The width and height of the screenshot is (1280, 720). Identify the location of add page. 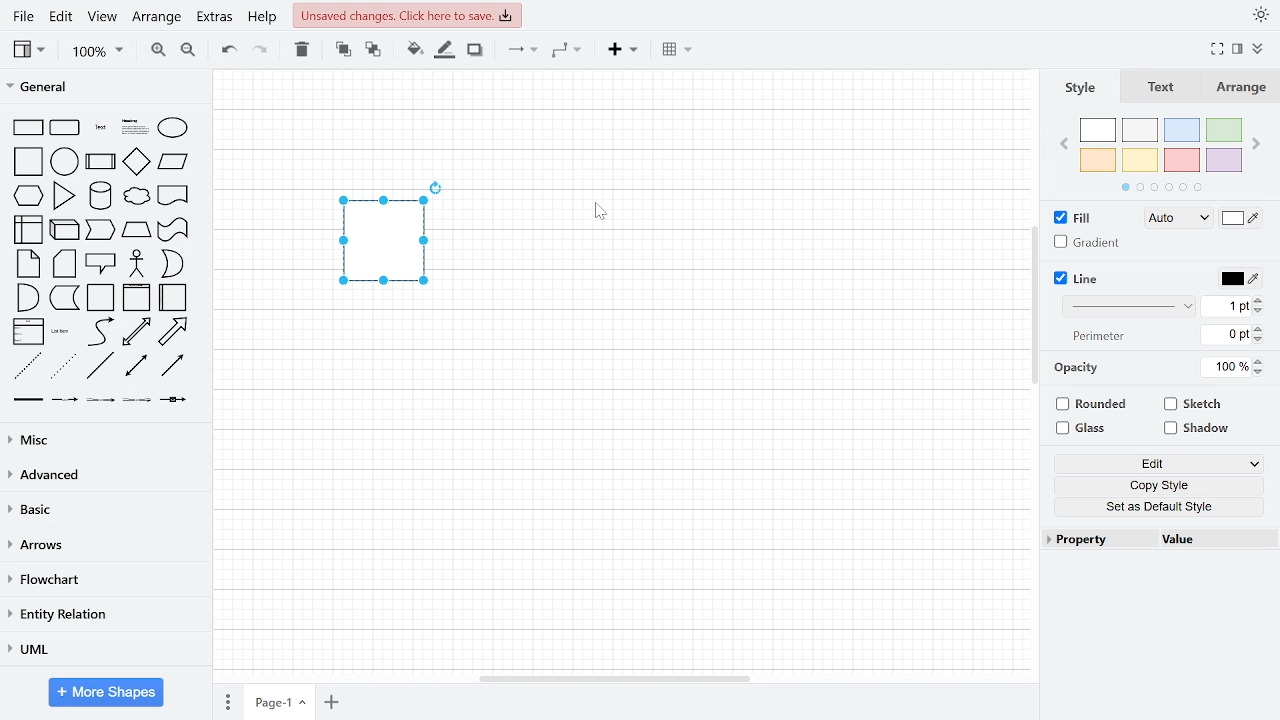
(330, 702).